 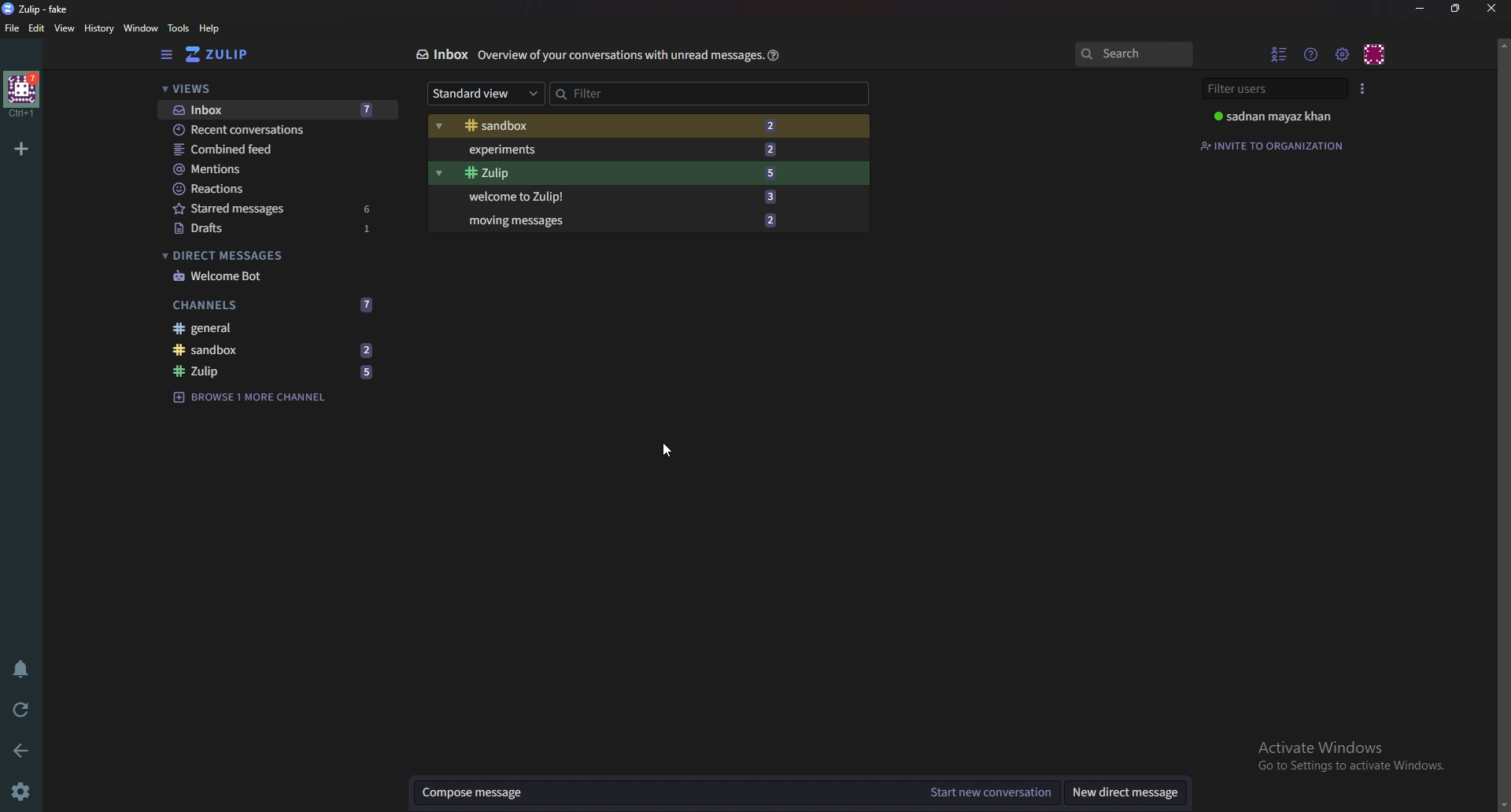 What do you see at coordinates (663, 791) in the screenshot?
I see `Compose message` at bounding box center [663, 791].